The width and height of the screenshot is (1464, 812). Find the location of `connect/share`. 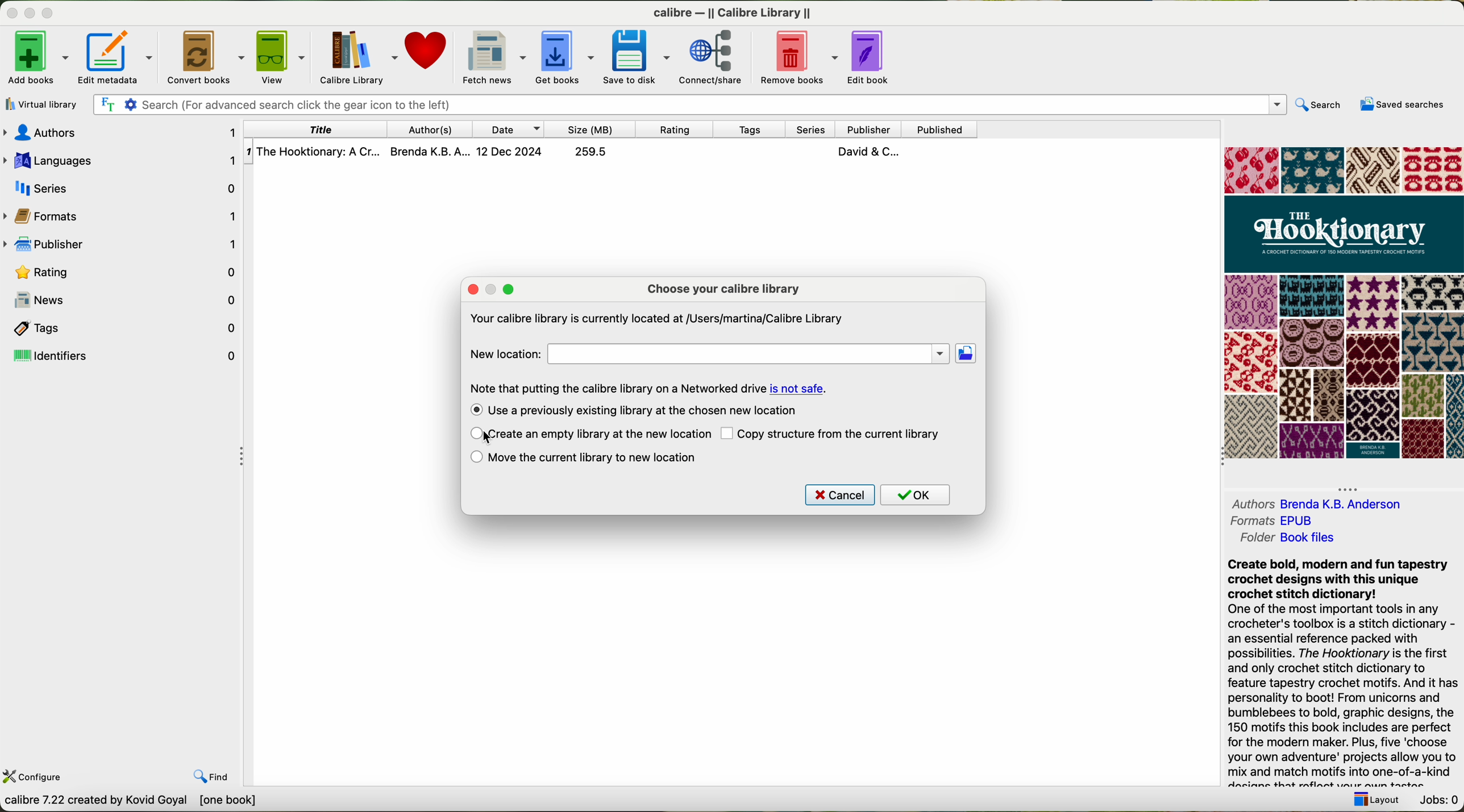

connect/share is located at coordinates (712, 57).